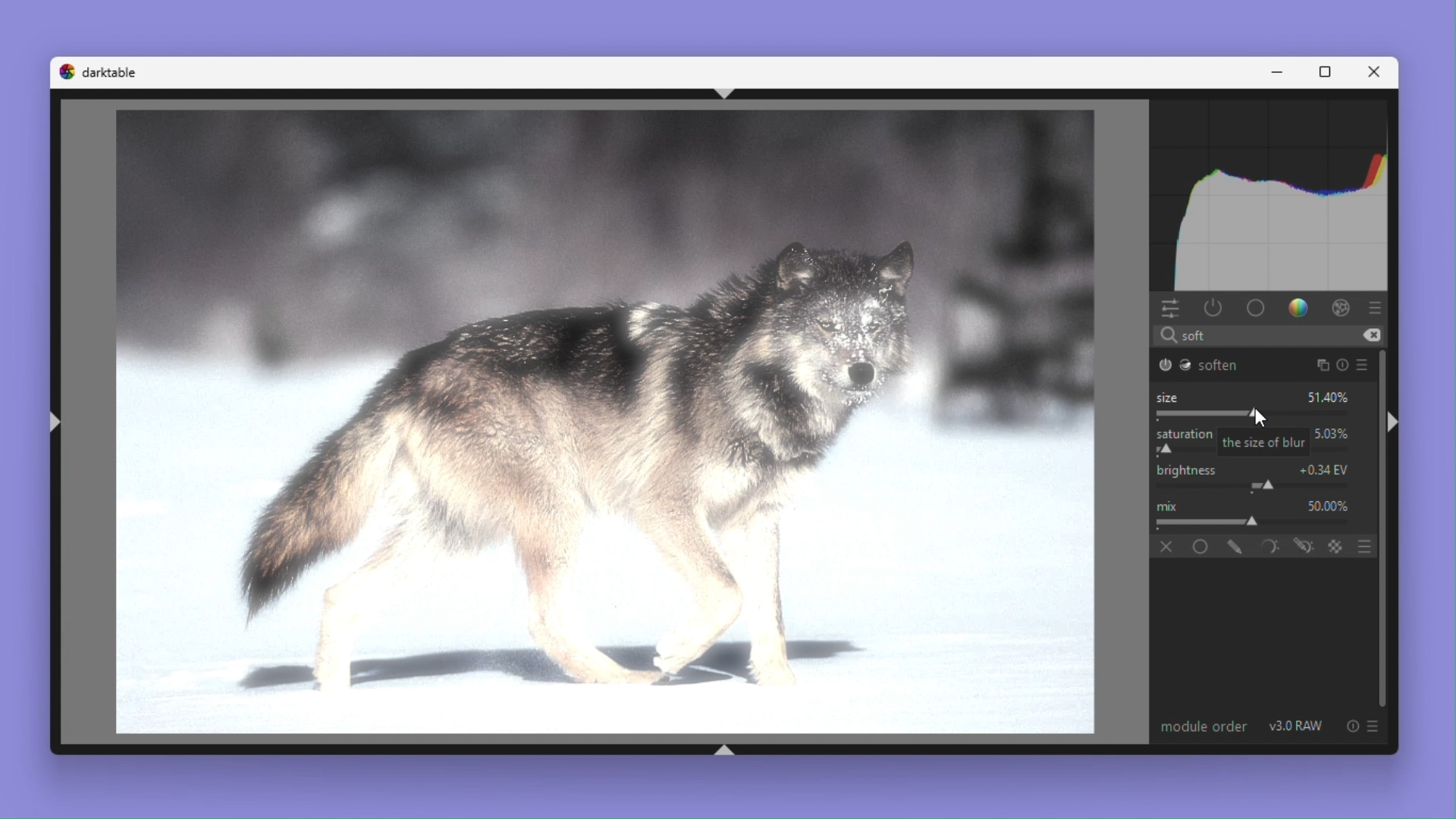 This screenshot has width=1456, height=819. I want to click on Collapse, so click(1394, 424).